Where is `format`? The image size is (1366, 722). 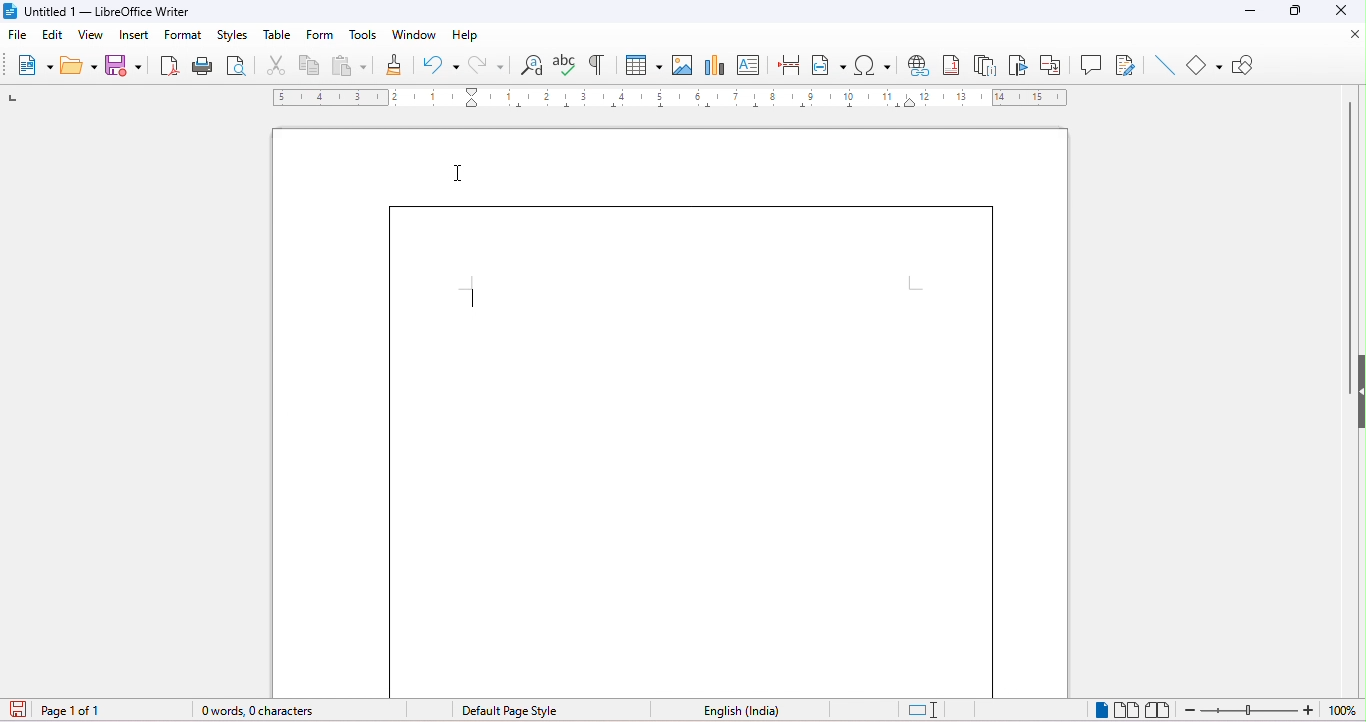
format is located at coordinates (185, 36).